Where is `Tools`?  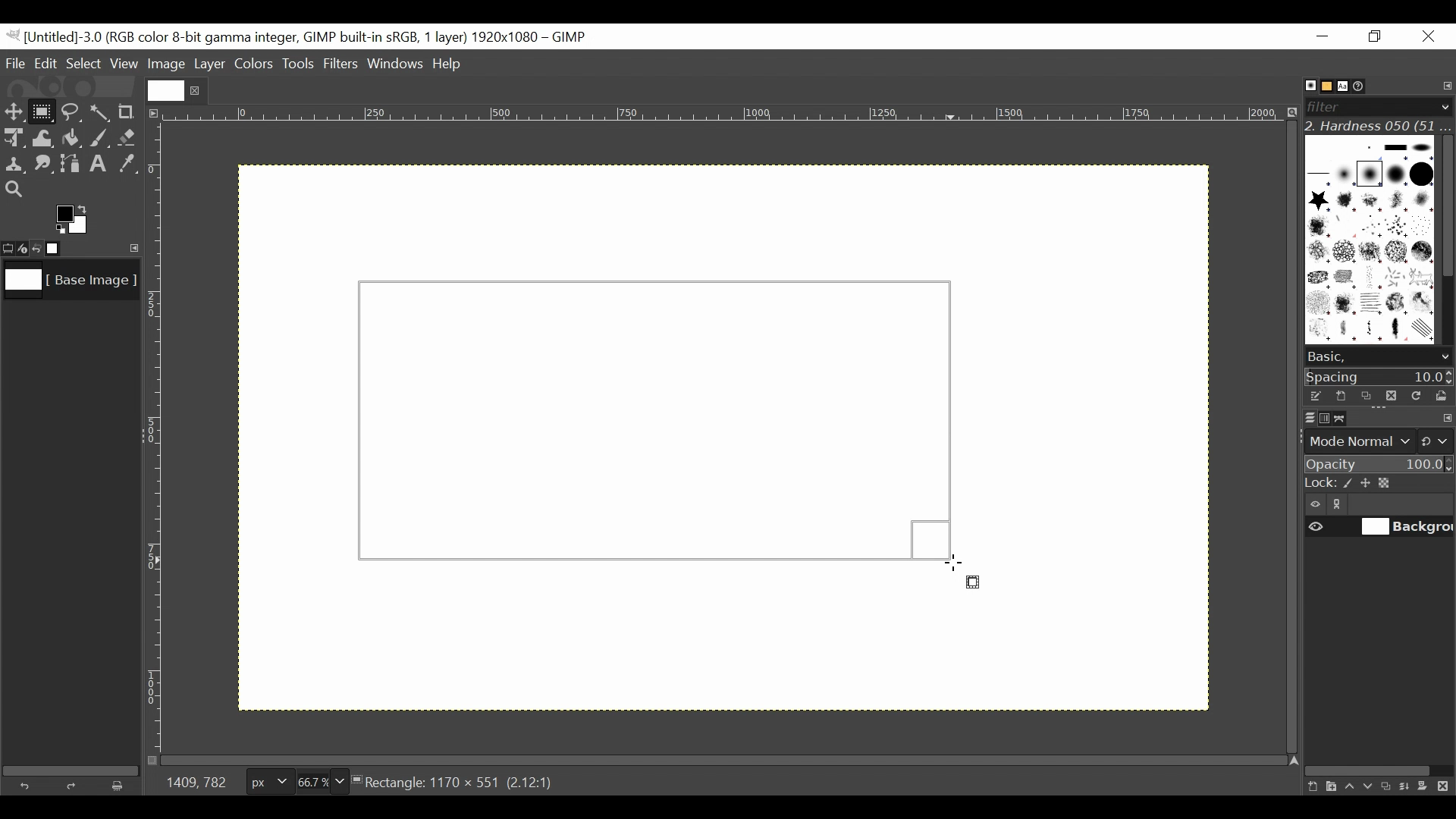
Tools is located at coordinates (300, 65).